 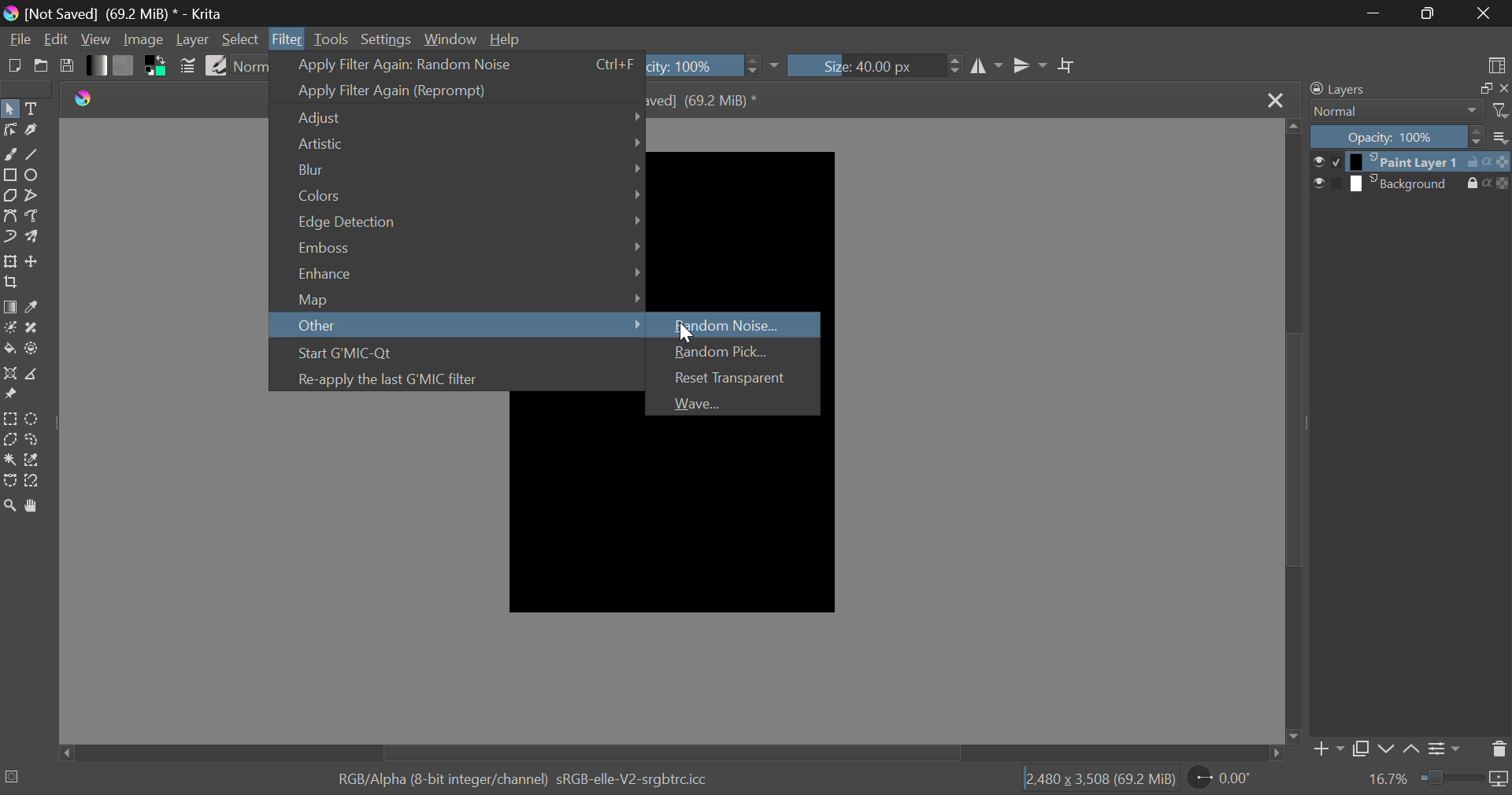 What do you see at coordinates (143, 41) in the screenshot?
I see `Image` at bounding box center [143, 41].